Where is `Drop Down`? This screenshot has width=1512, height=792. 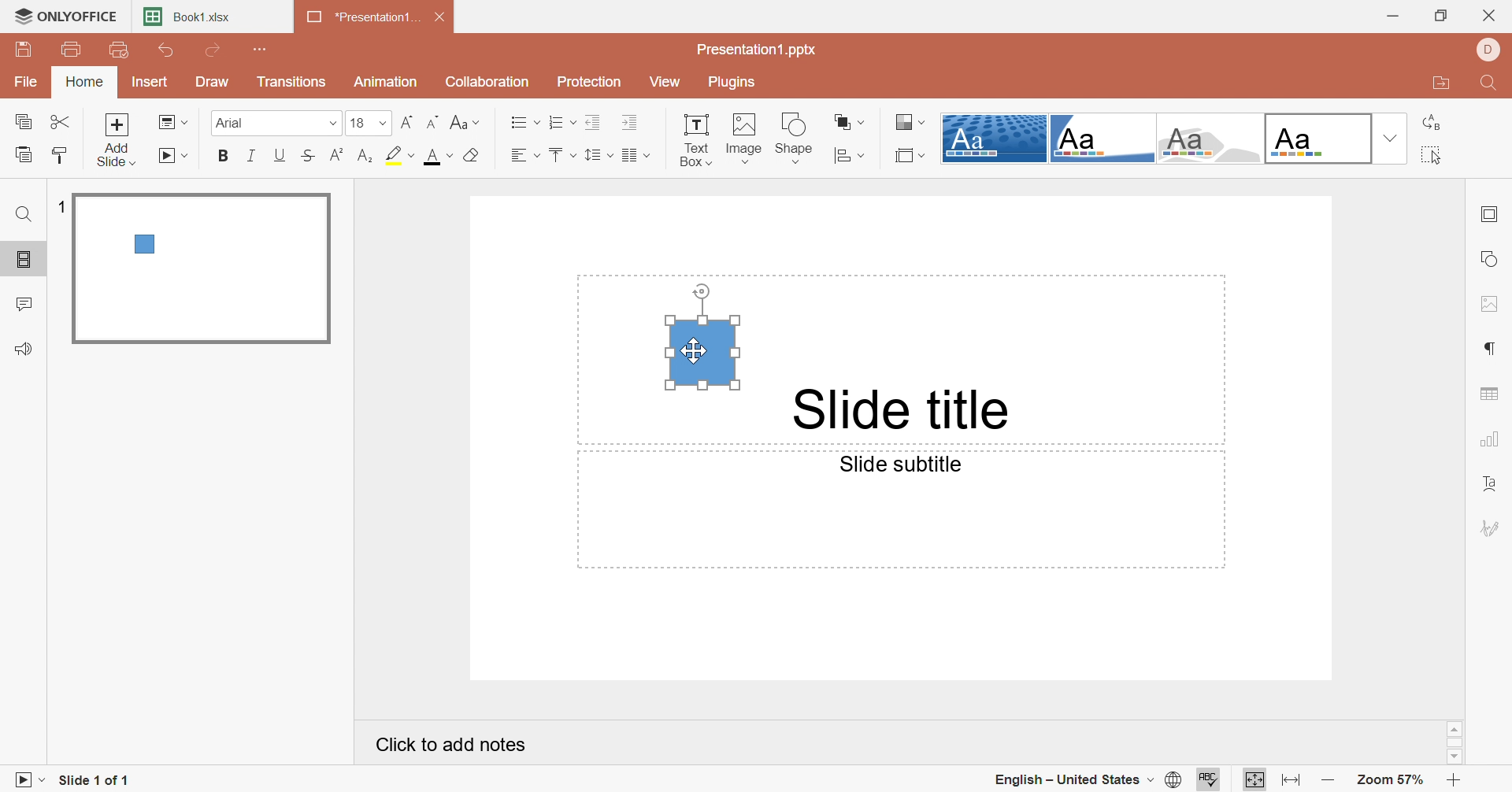 Drop Down is located at coordinates (381, 124).